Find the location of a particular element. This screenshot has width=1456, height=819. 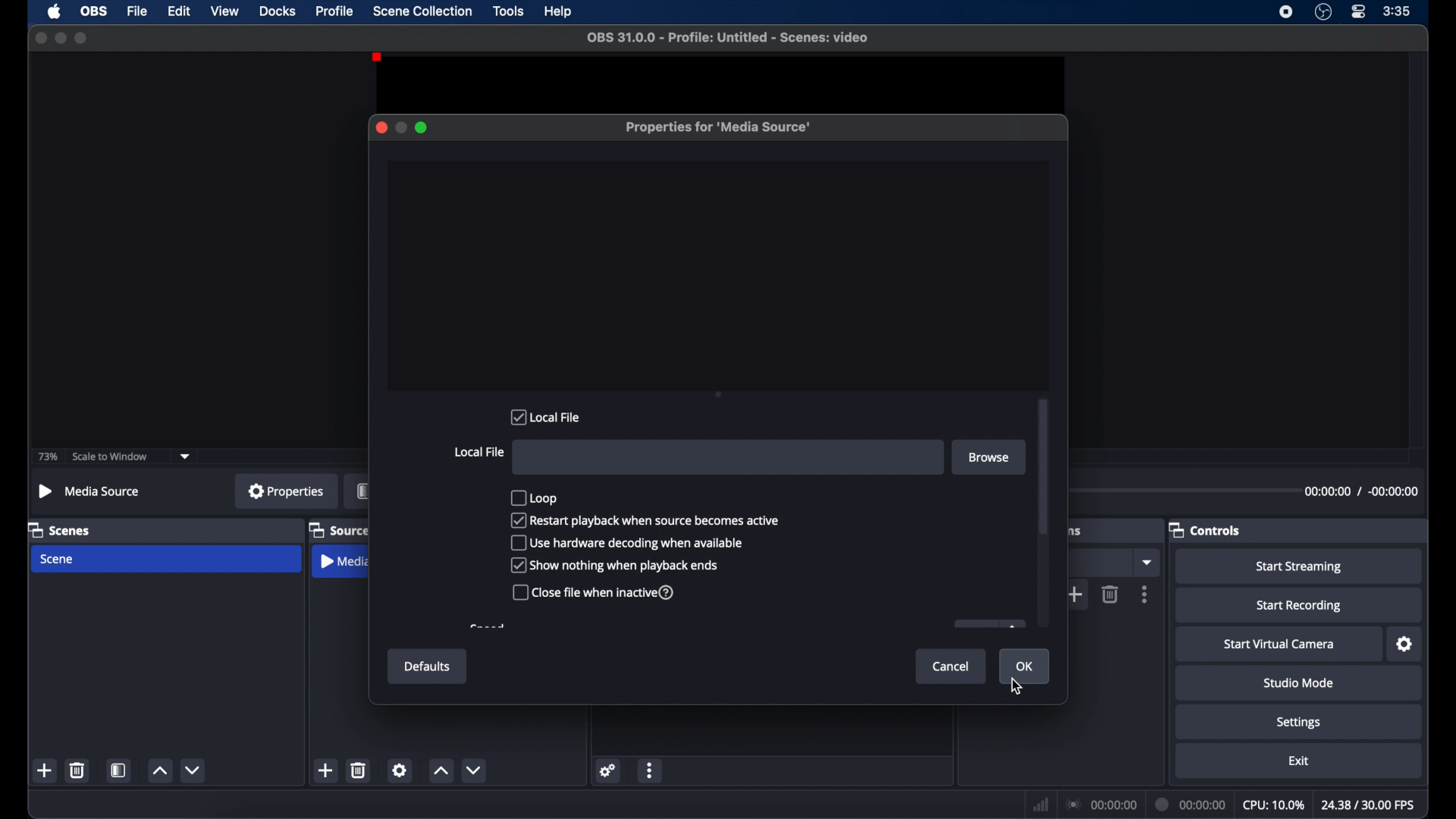

tools is located at coordinates (508, 11).